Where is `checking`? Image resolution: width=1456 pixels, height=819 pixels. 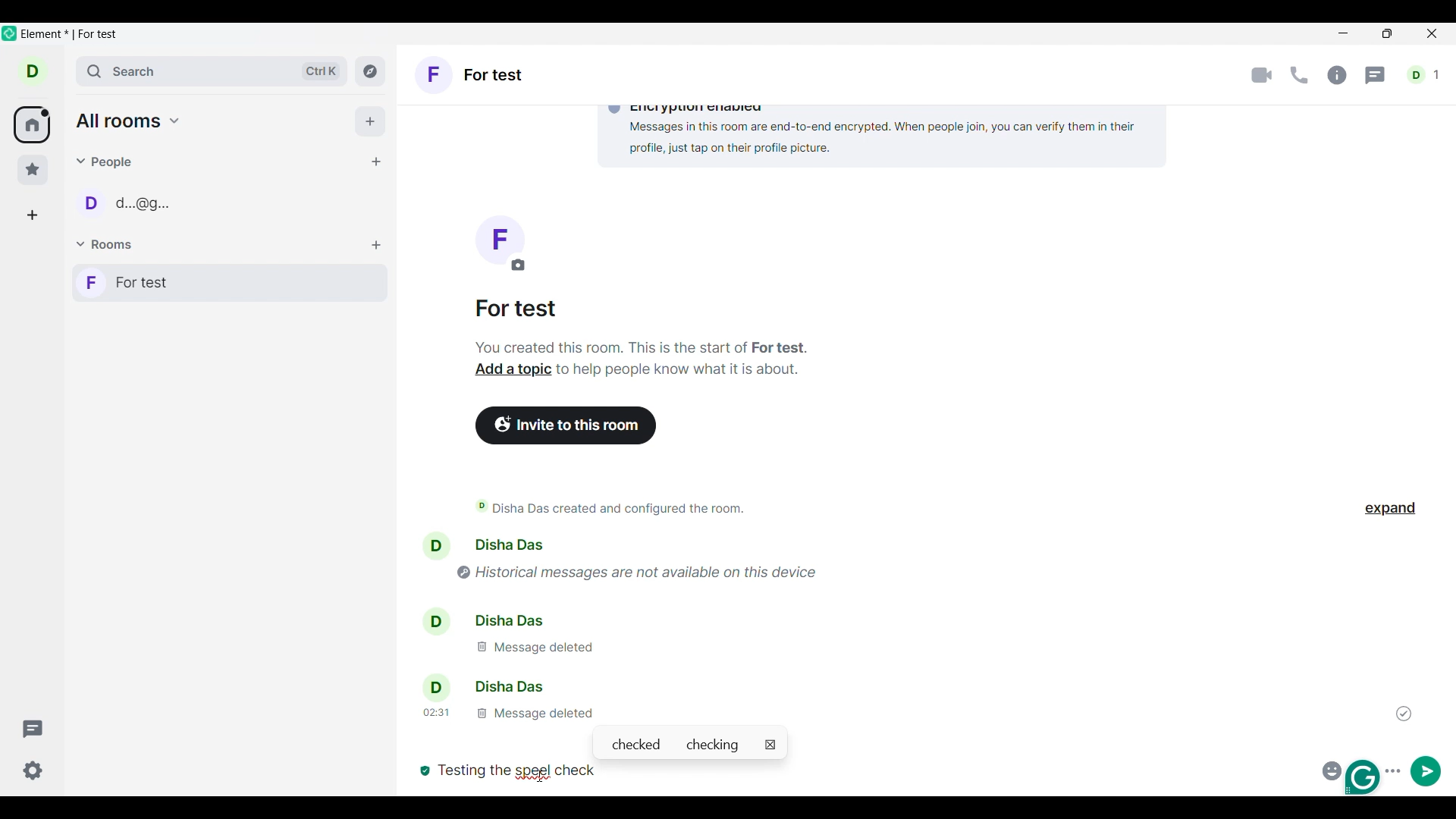 checking is located at coordinates (716, 745).